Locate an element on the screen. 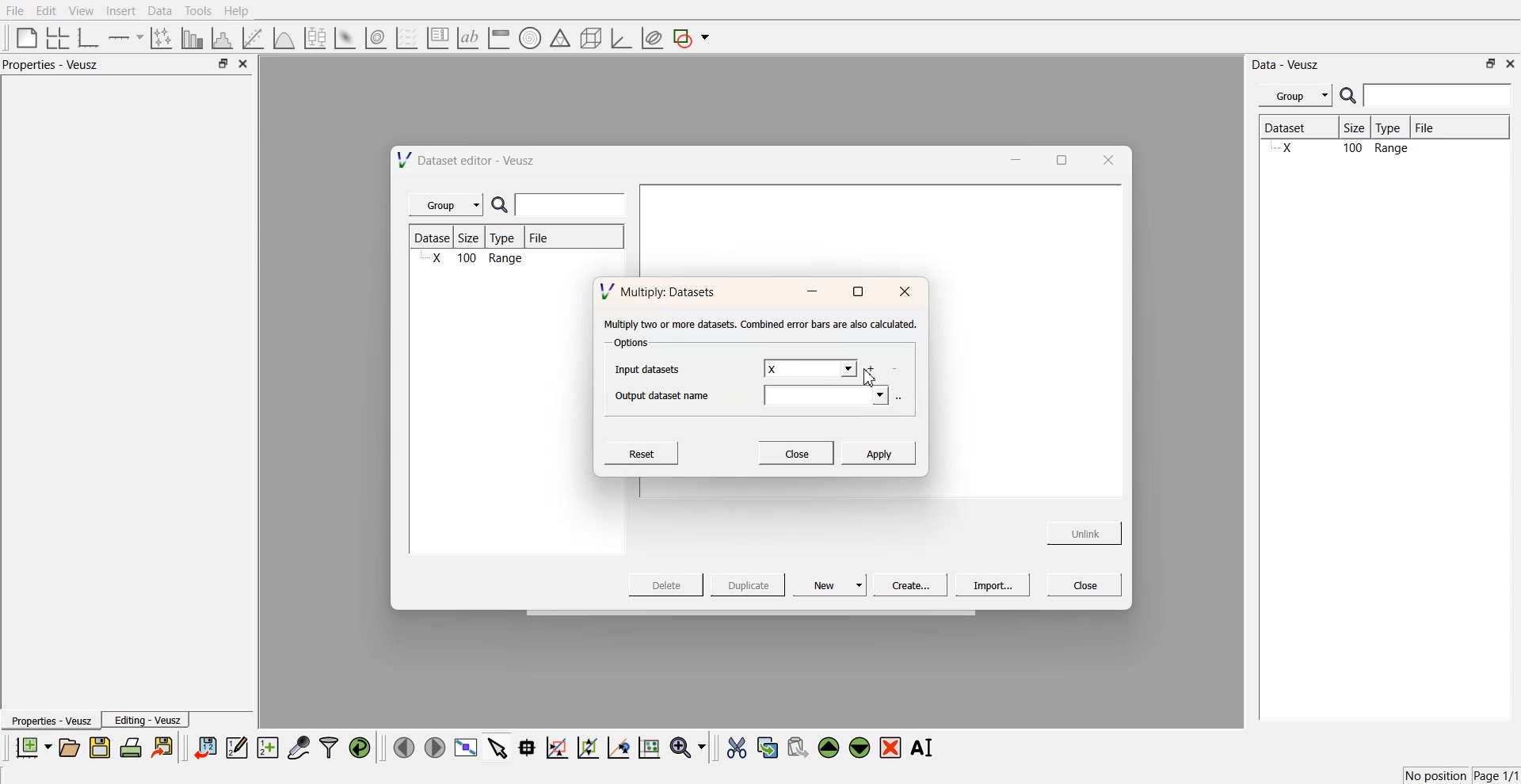  fit a function is located at coordinates (254, 36).